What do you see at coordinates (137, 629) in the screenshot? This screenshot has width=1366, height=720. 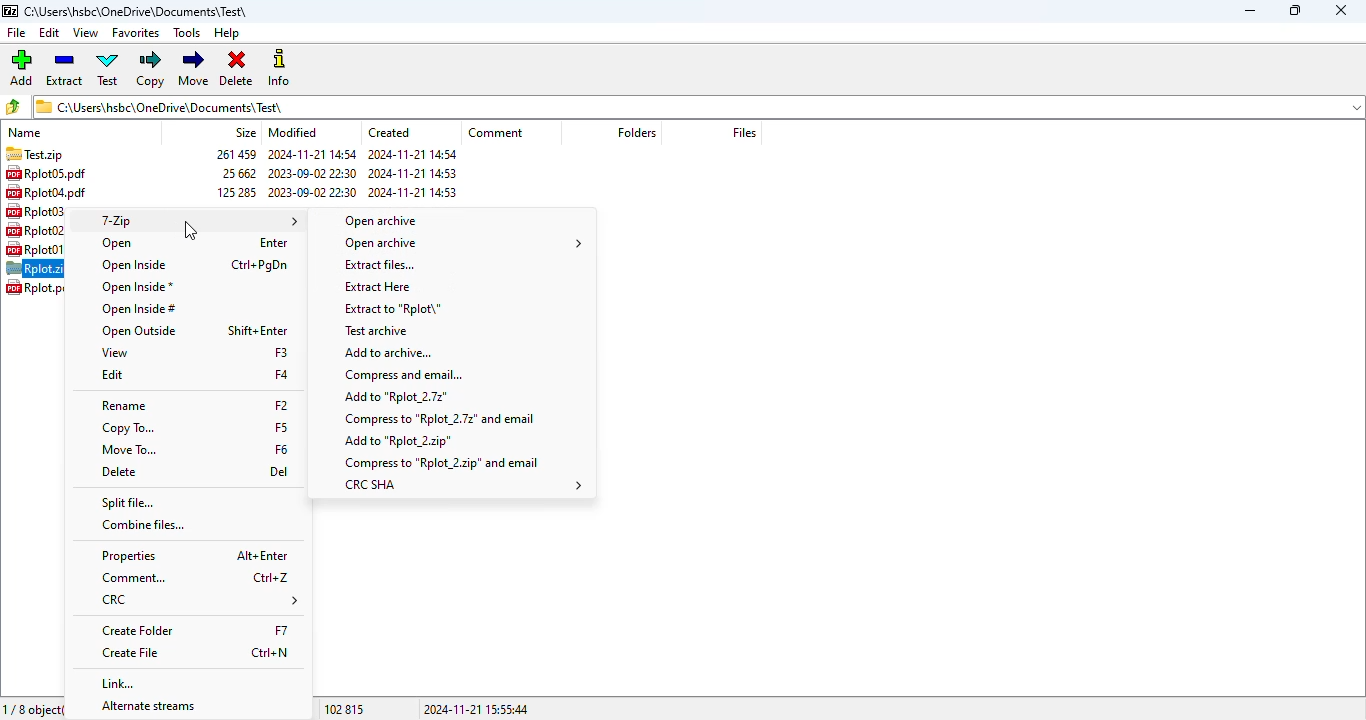 I see `create folder` at bounding box center [137, 629].